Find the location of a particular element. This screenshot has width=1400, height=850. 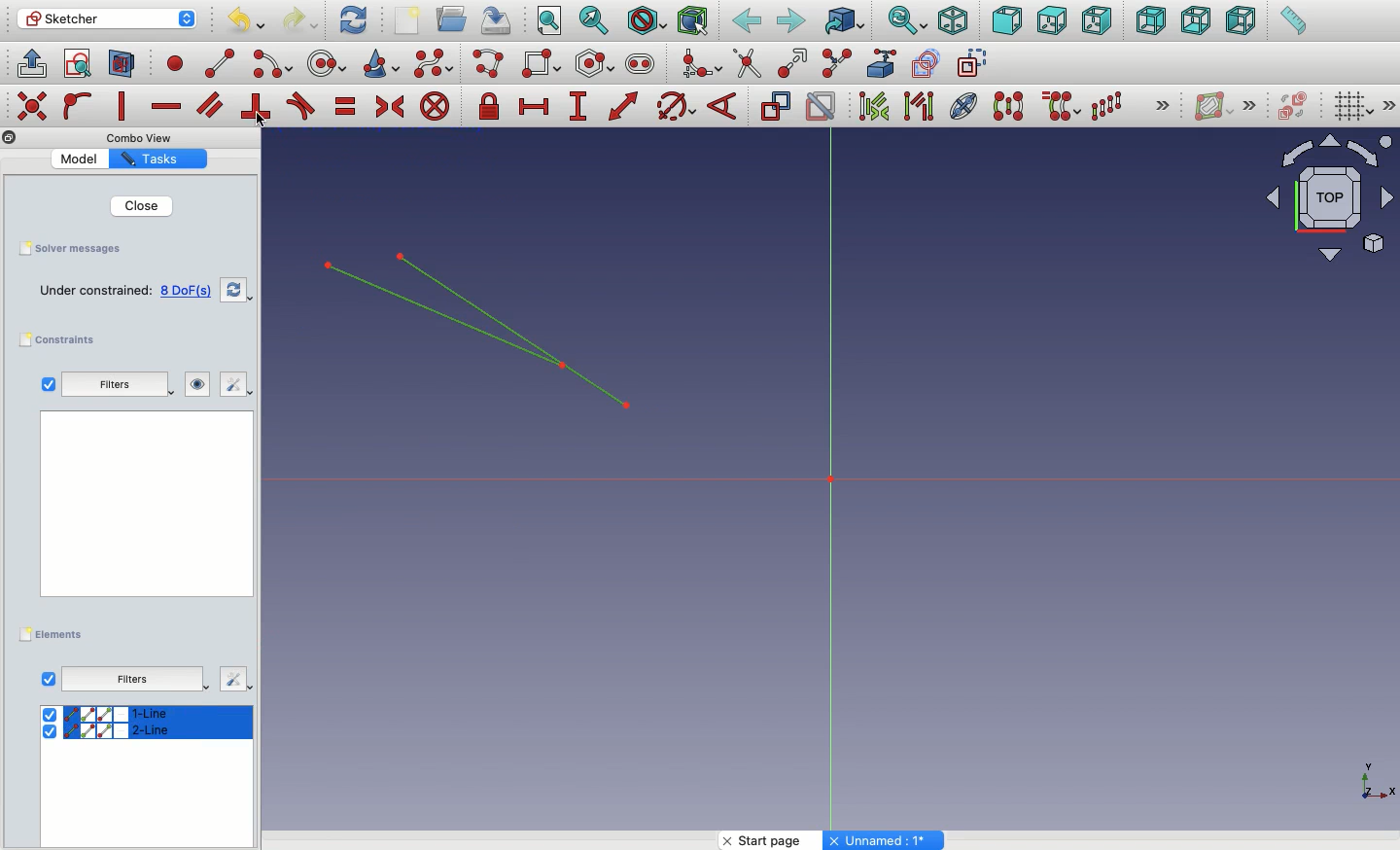

 is located at coordinates (1254, 104).